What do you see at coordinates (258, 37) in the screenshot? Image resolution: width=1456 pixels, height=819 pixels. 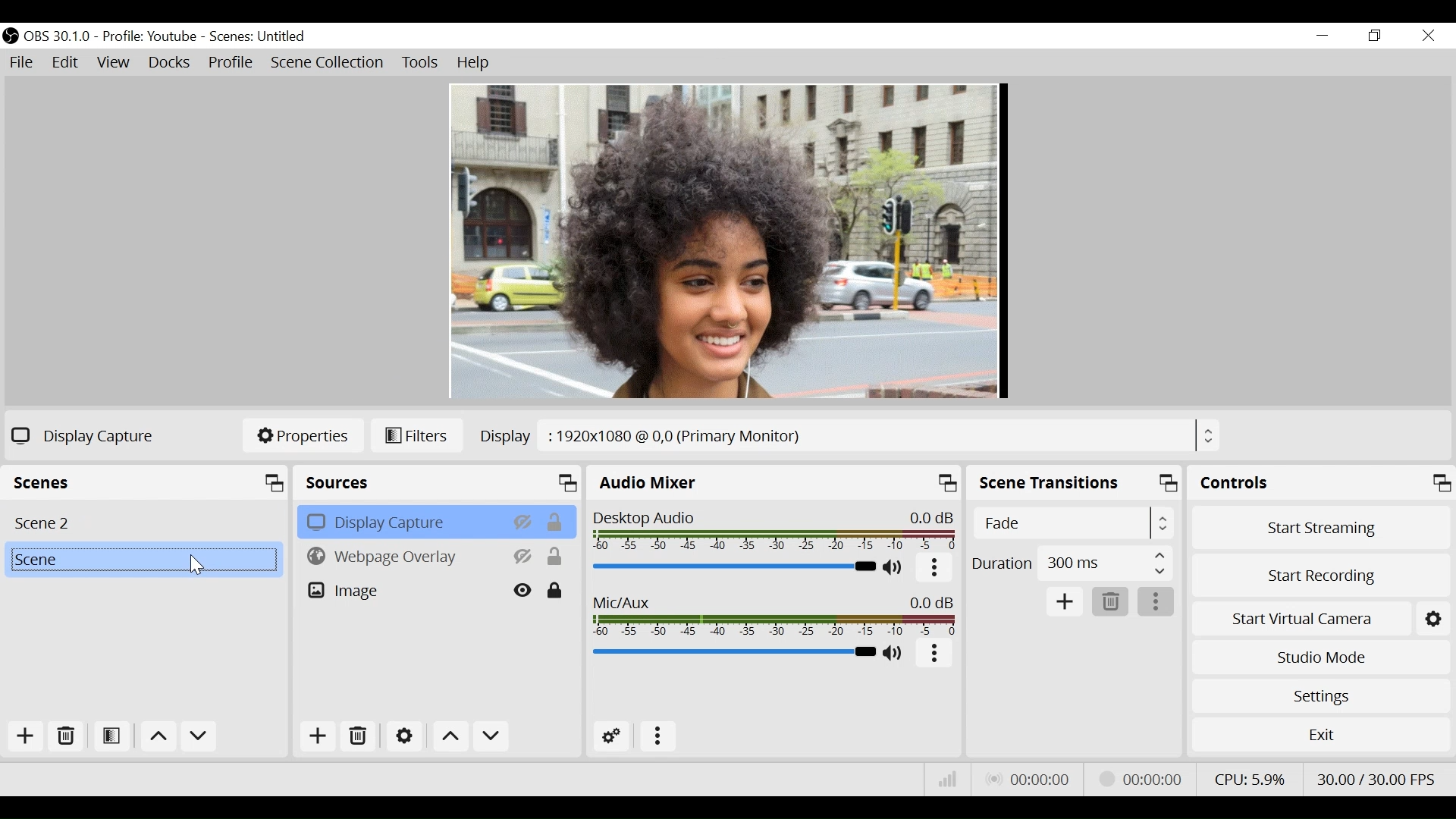 I see `Scene Name` at bounding box center [258, 37].